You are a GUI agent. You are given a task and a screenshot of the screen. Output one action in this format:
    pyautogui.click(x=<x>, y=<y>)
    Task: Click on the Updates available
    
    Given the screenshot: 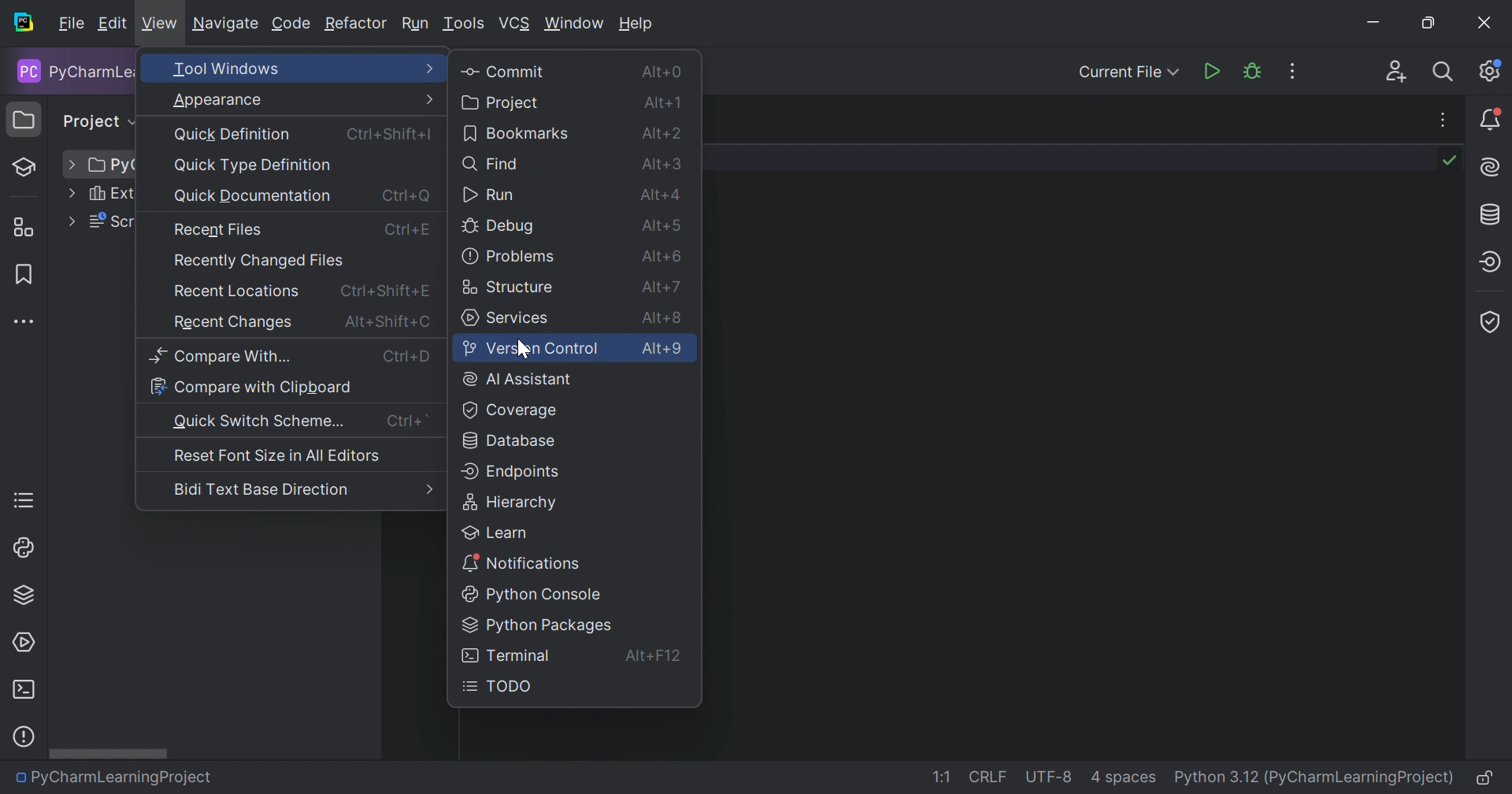 What is the action you would take?
    pyautogui.click(x=1491, y=118)
    